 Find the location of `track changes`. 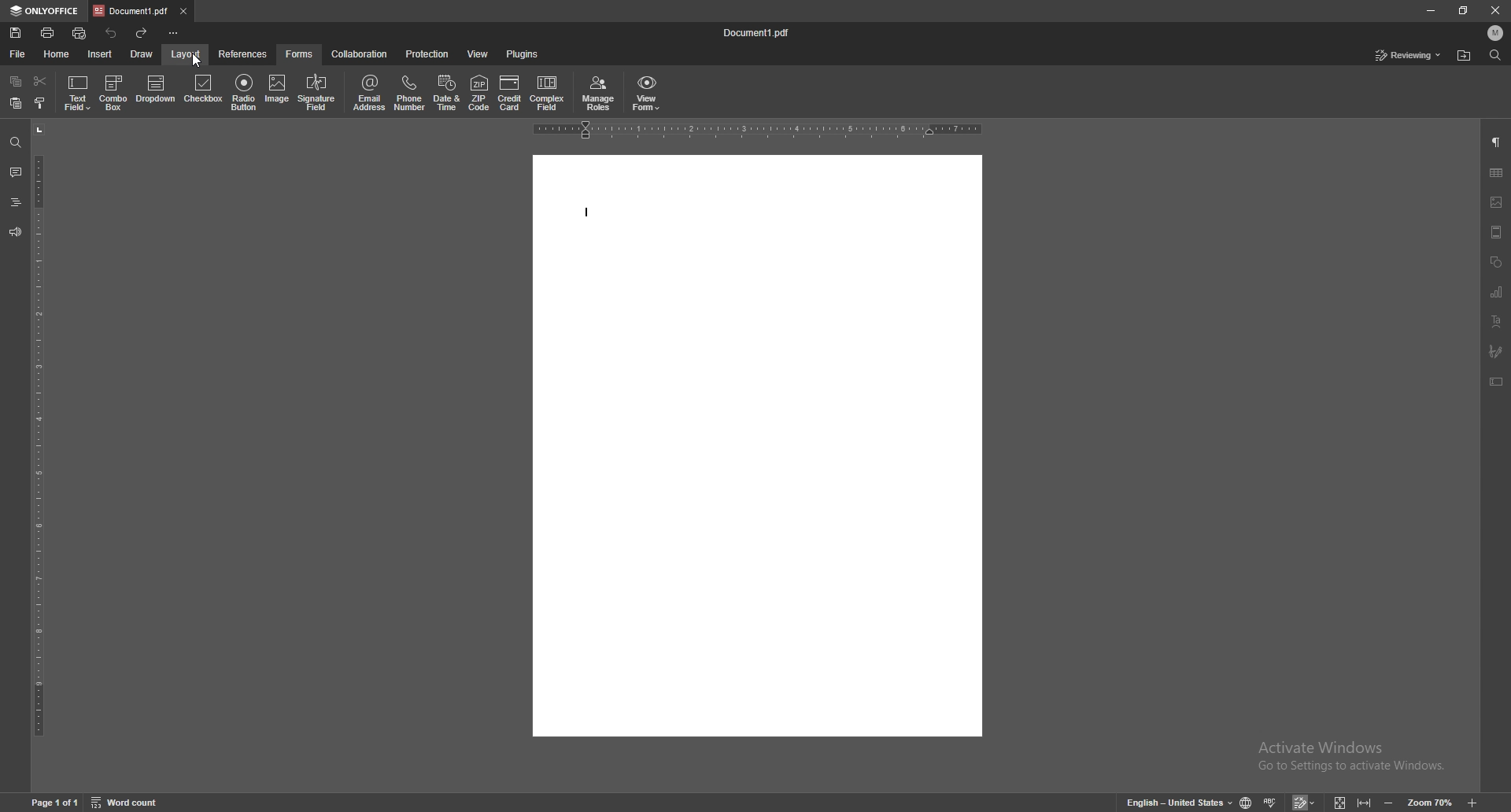

track changes is located at coordinates (1306, 803).